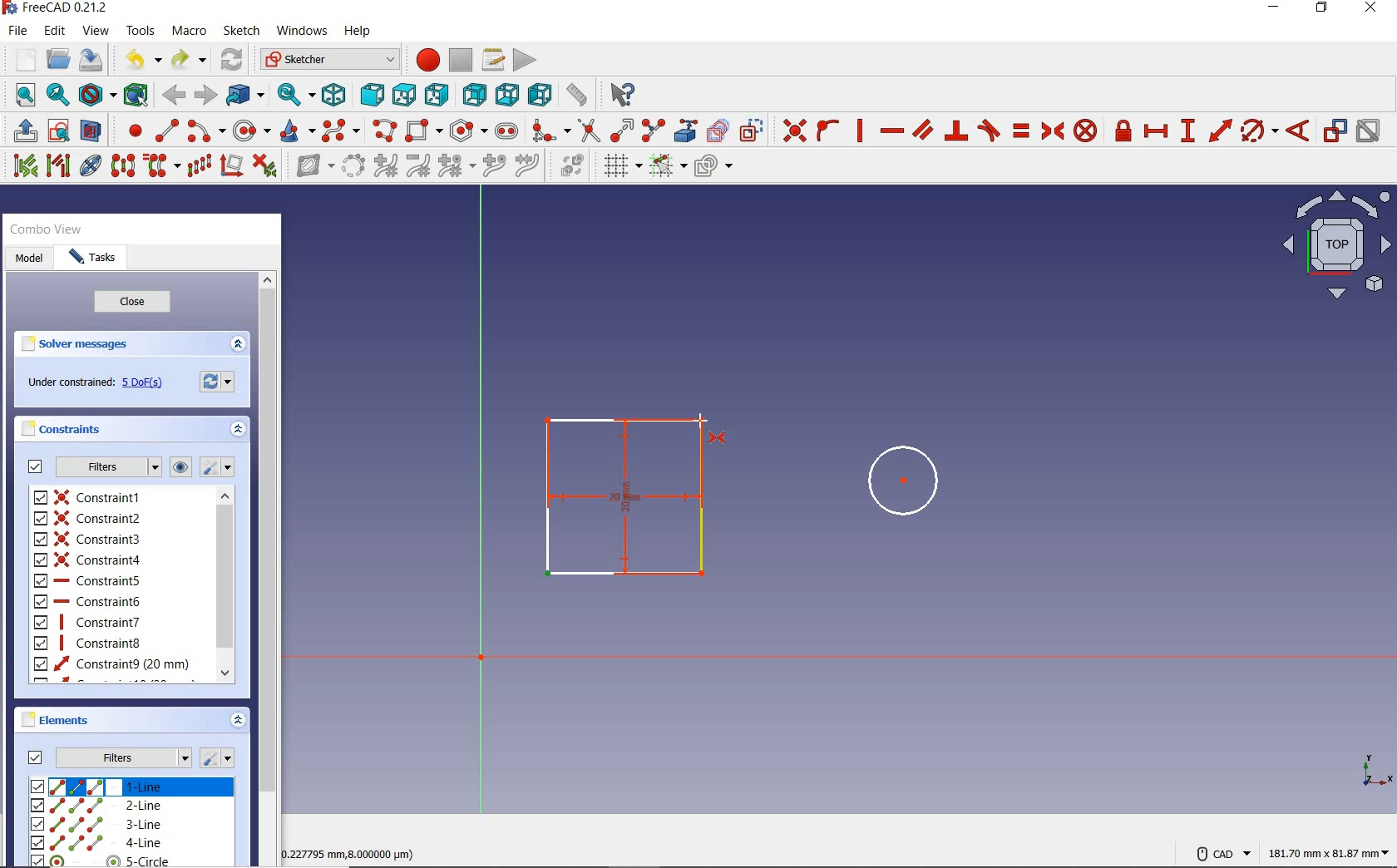 Image resolution: width=1397 pixels, height=868 pixels. I want to click on create slot, so click(510, 133).